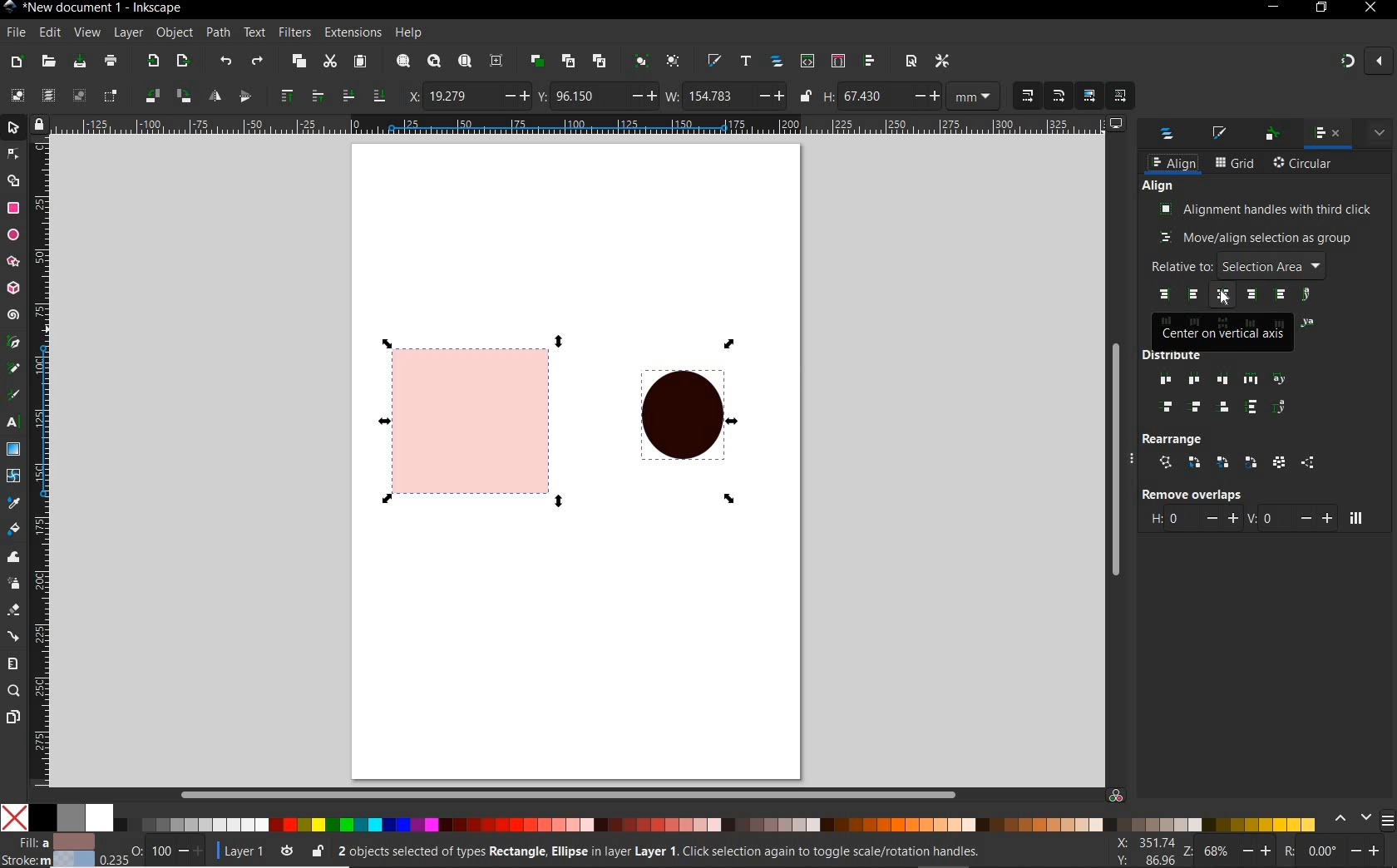  I want to click on distribute, so click(1213, 357).